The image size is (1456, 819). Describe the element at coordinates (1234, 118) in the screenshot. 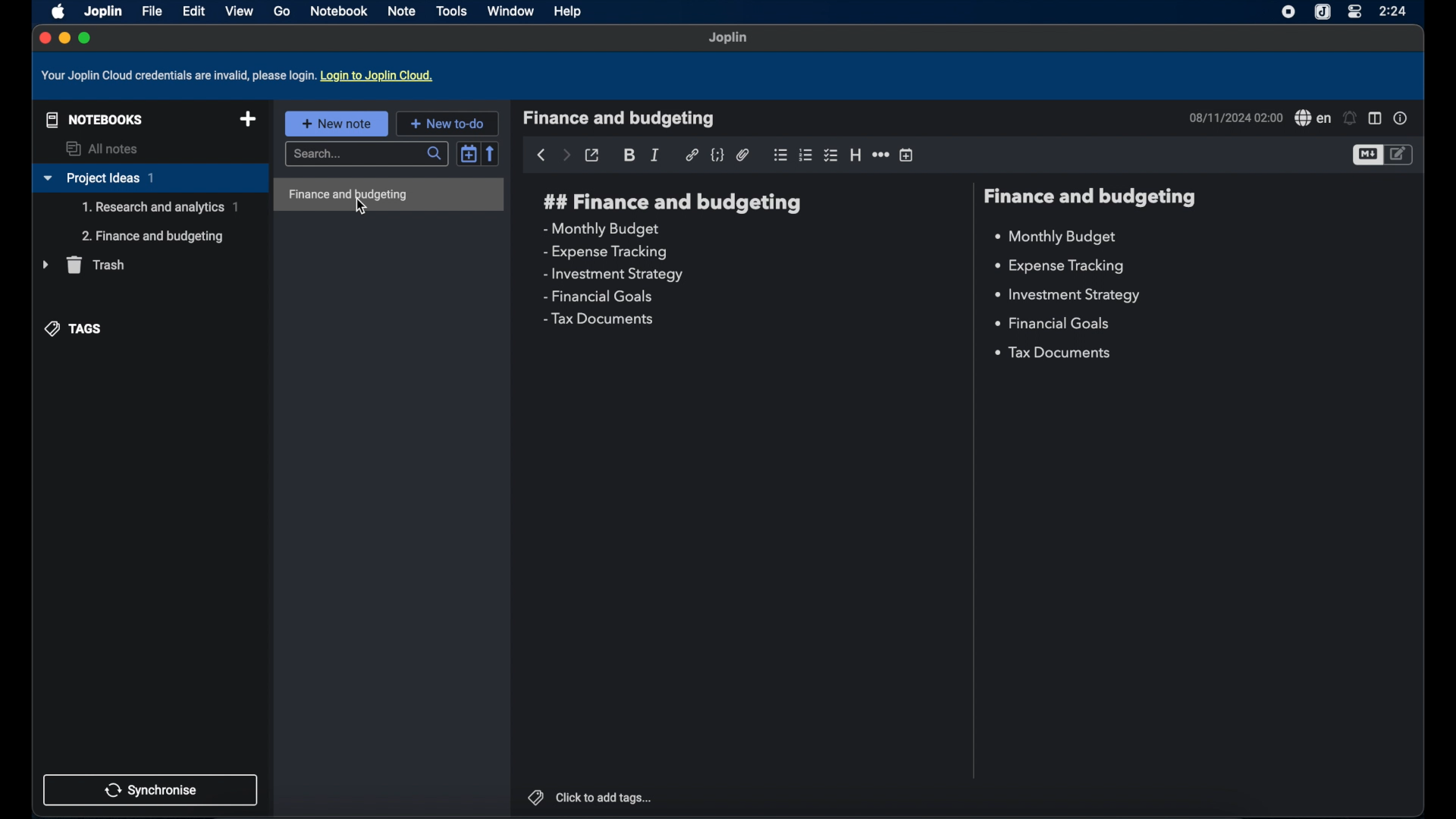

I see `08/11/2024 02:00(date and time)` at that location.